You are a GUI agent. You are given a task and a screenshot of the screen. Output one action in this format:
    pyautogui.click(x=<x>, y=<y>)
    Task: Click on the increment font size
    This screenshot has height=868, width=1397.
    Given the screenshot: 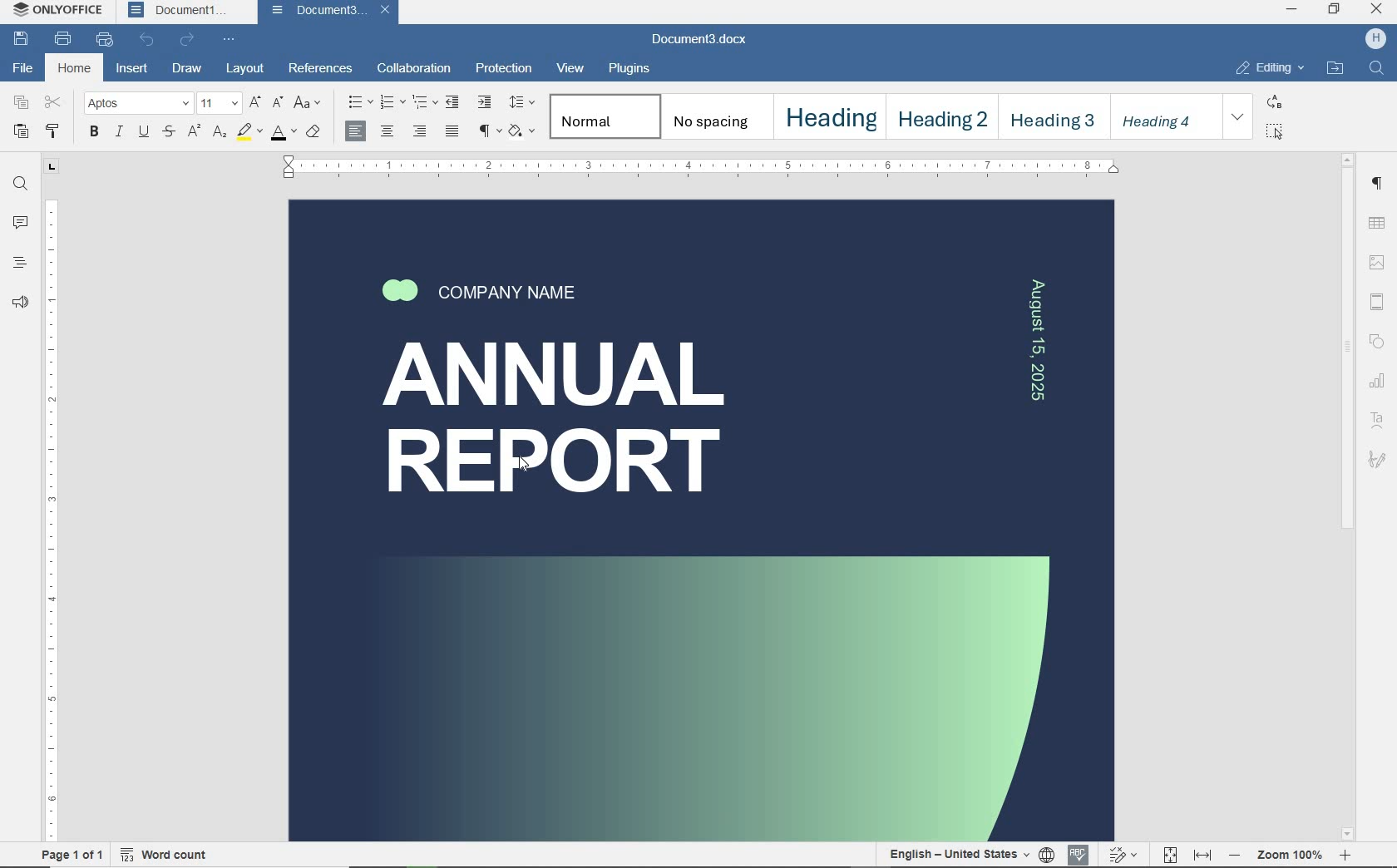 What is the action you would take?
    pyautogui.click(x=255, y=105)
    